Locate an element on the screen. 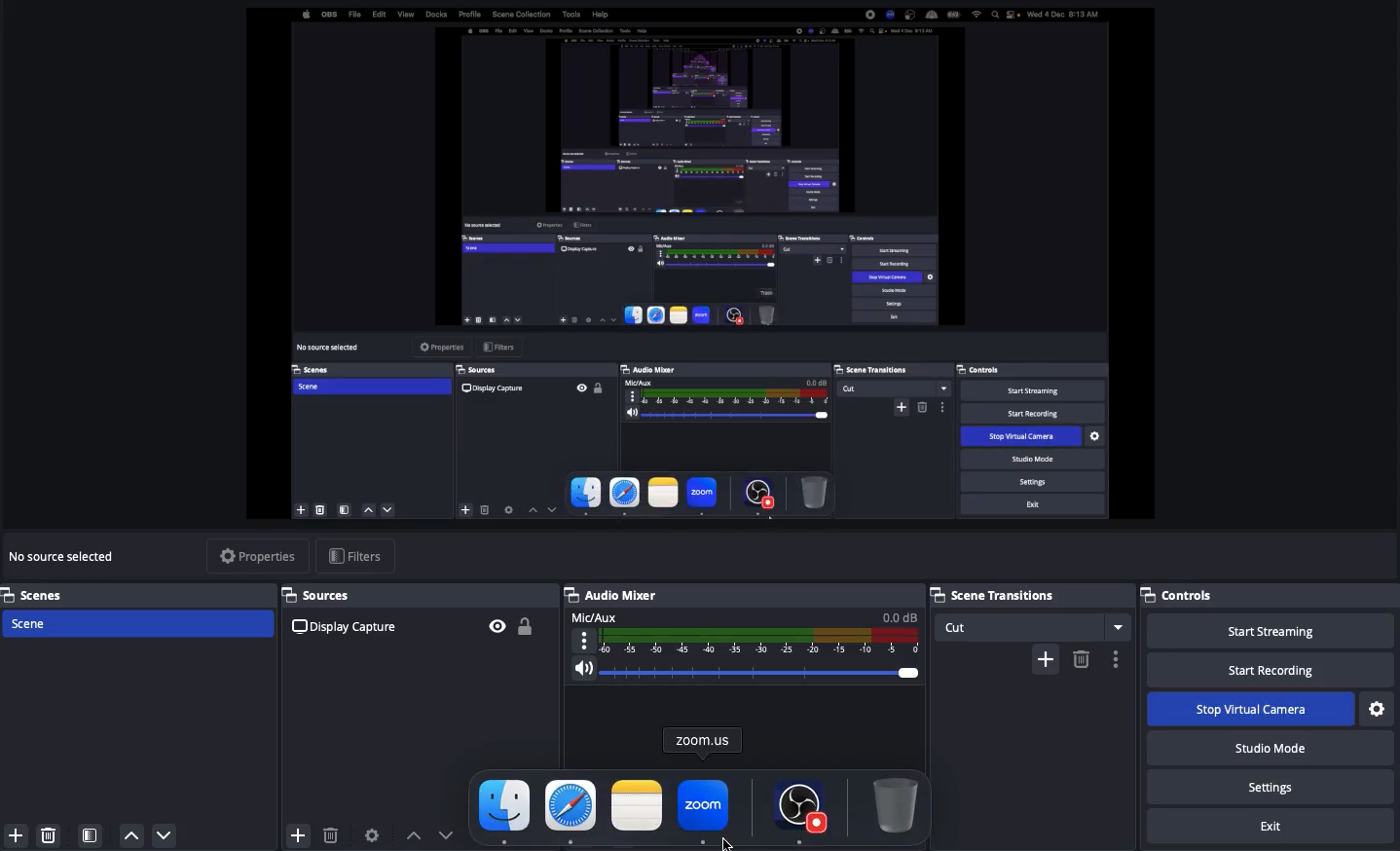  add is located at coordinates (289, 832).